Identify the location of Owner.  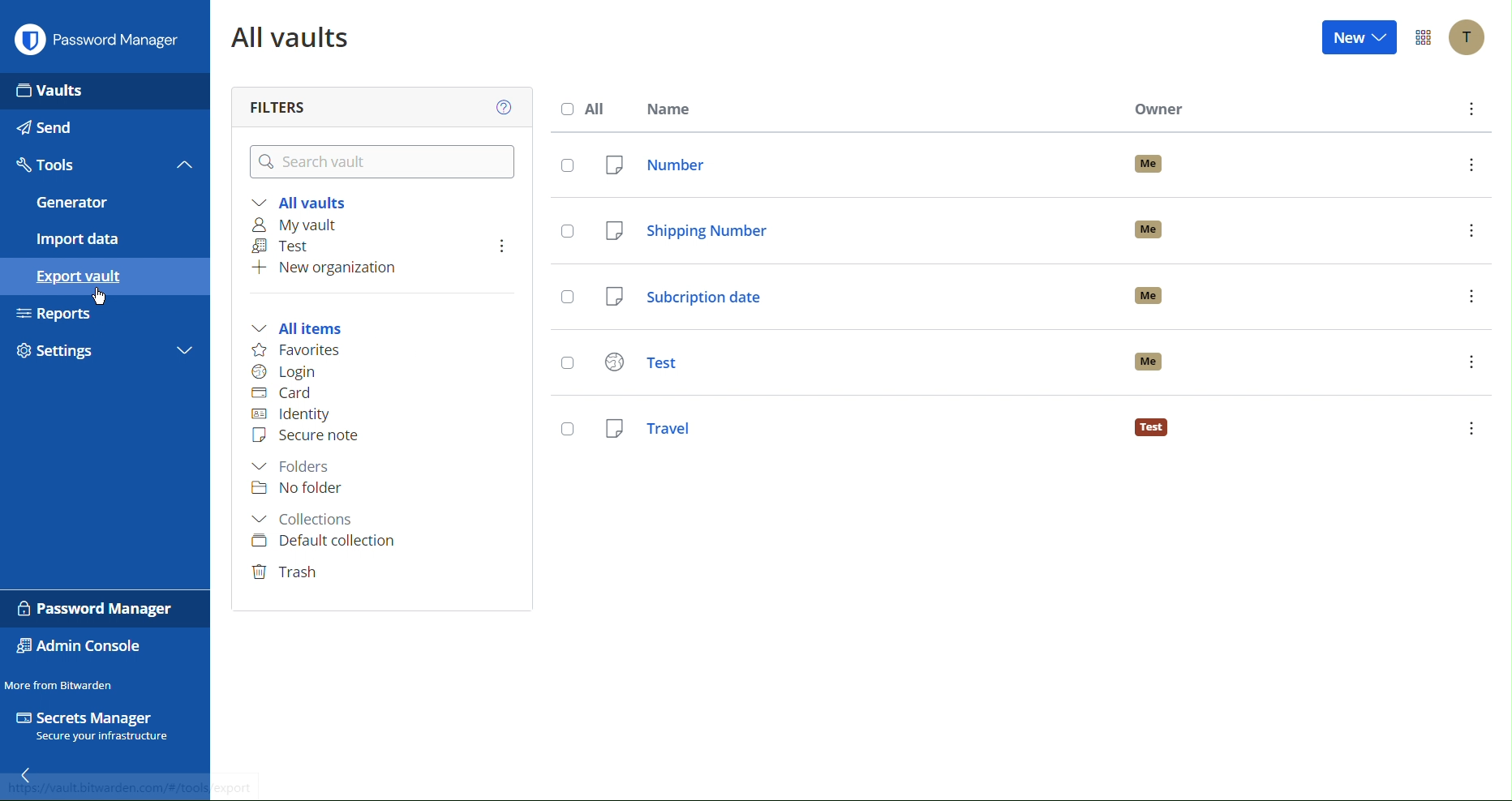
(1162, 107).